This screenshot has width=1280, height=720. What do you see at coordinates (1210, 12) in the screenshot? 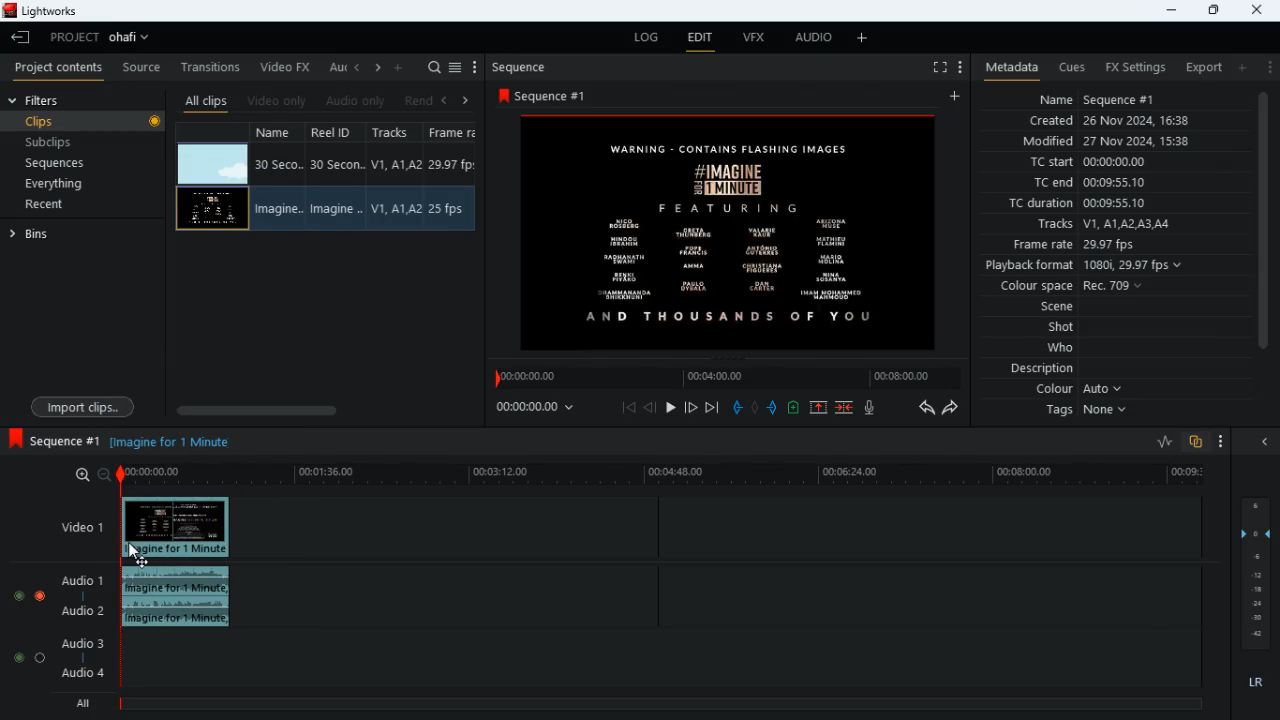
I see `maximize` at bounding box center [1210, 12].